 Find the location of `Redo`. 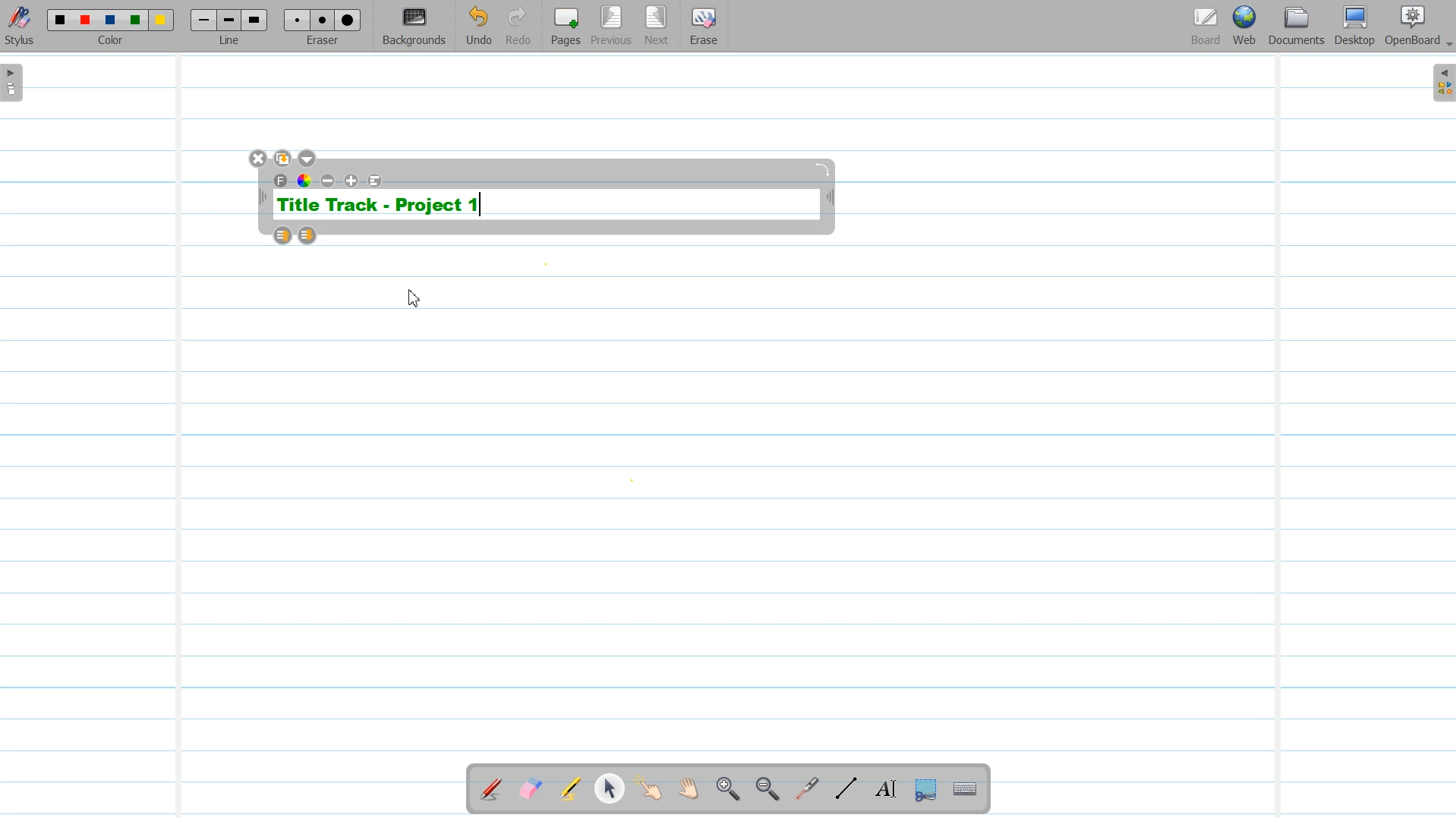

Redo is located at coordinates (518, 27).